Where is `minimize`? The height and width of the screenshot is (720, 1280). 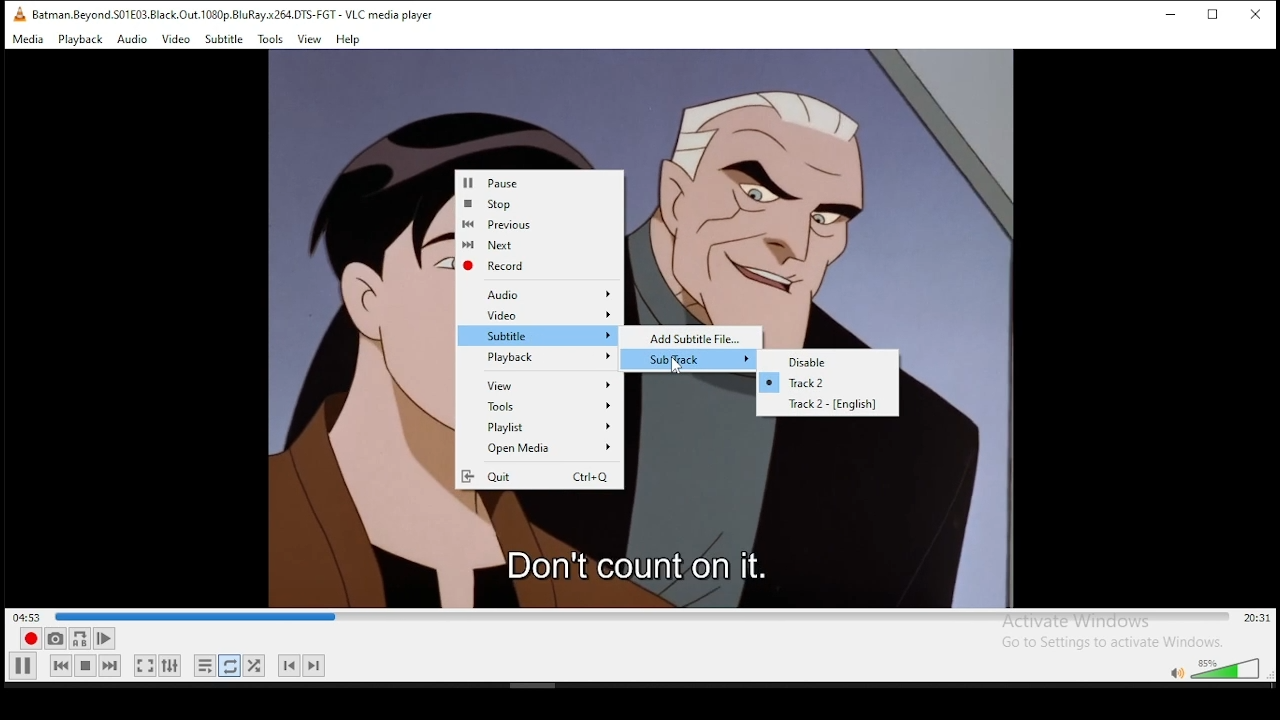
minimize is located at coordinates (1175, 16).